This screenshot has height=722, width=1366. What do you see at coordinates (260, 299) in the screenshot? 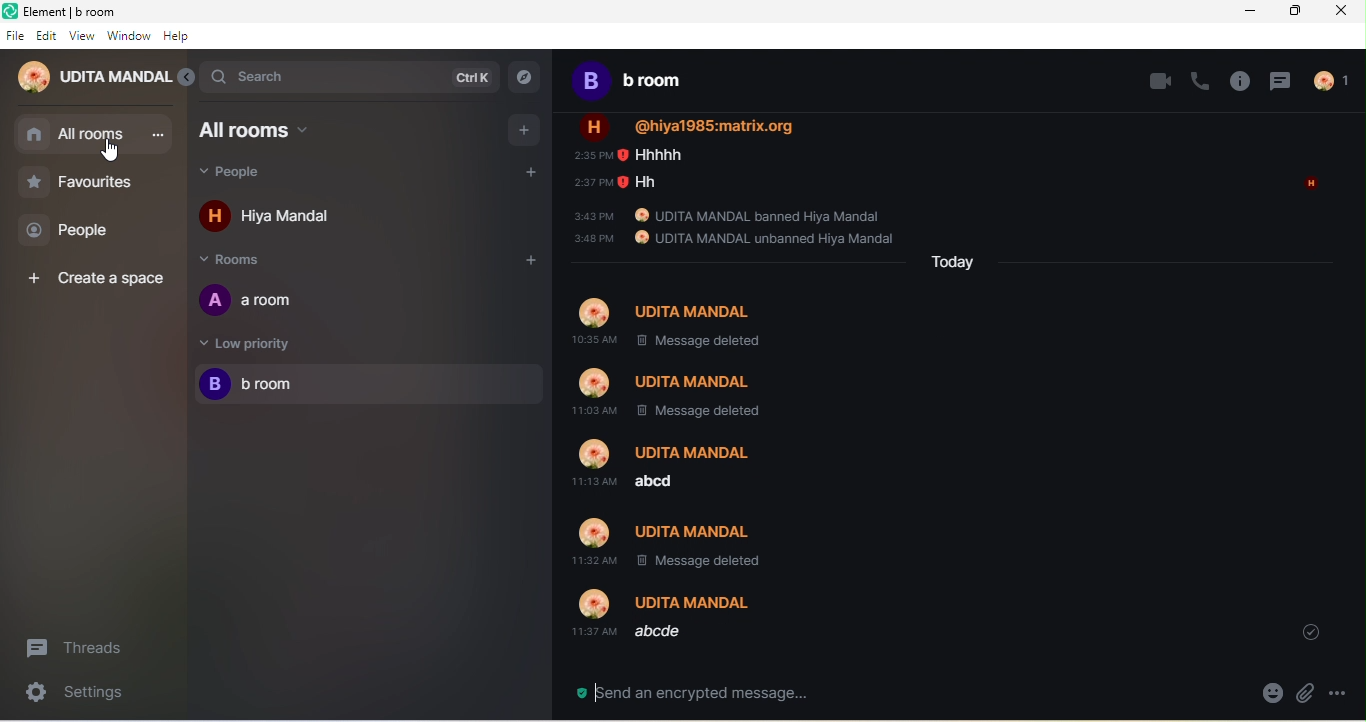
I see `a room` at bounding box center [260, 299].